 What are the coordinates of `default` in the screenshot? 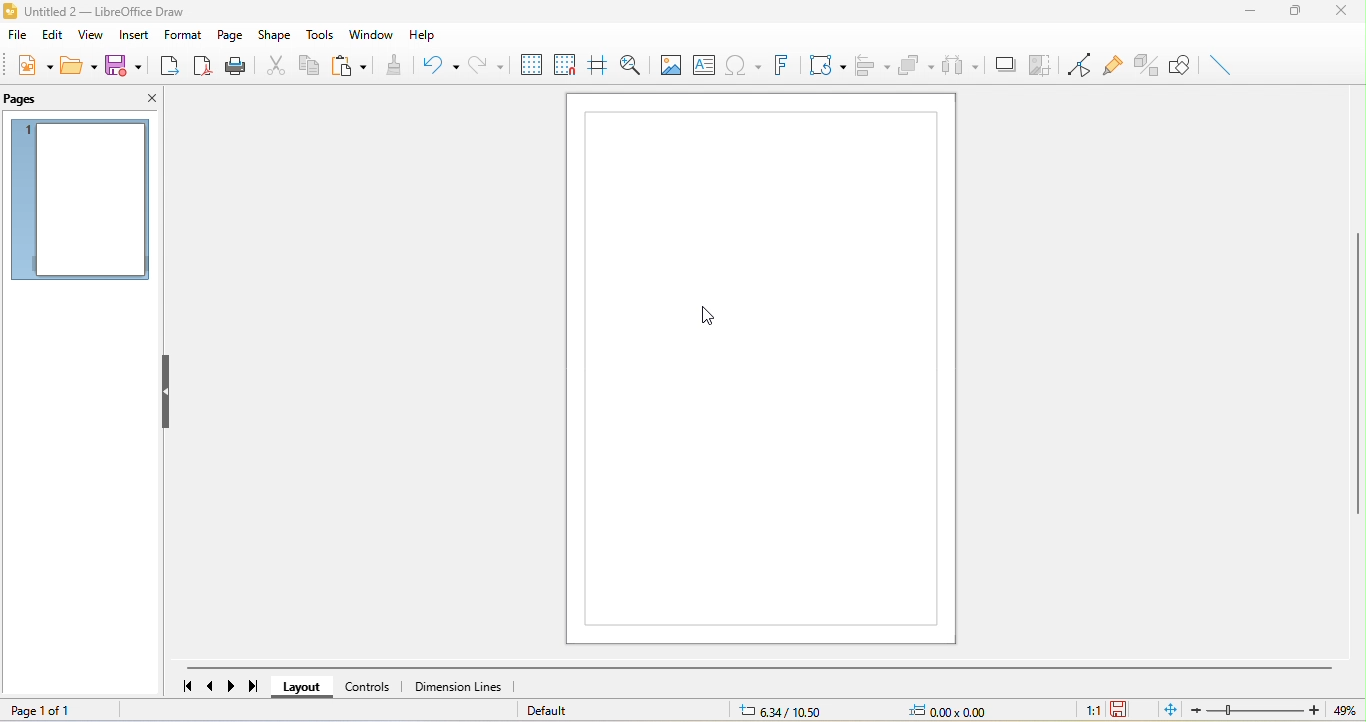 It's located at (575, 710).